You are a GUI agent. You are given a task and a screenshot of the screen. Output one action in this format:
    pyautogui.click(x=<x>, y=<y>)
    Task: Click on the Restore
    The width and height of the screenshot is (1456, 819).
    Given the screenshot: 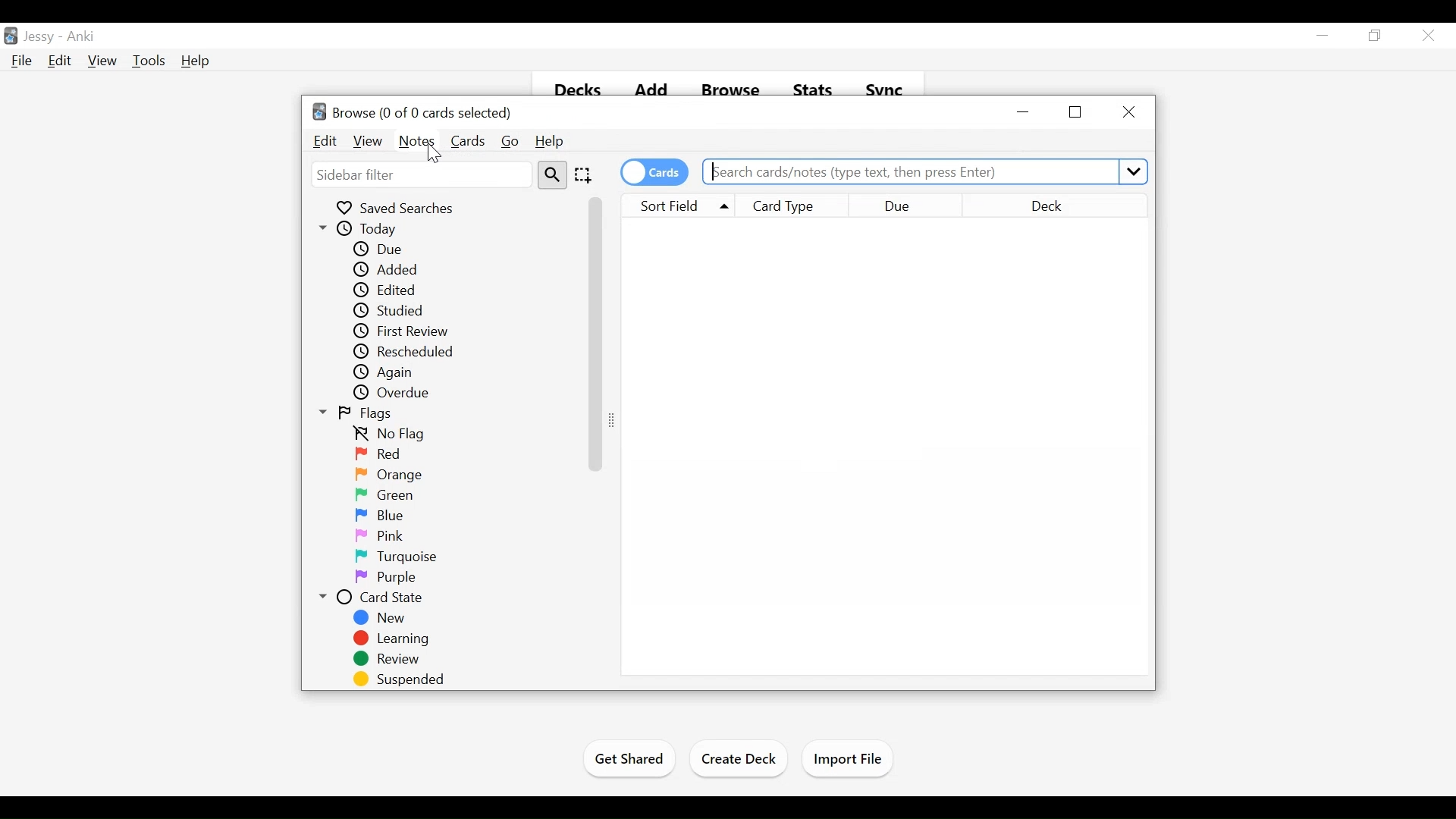 What is the action you would take?
    pyautogui.click(x=1375, y=35)
    